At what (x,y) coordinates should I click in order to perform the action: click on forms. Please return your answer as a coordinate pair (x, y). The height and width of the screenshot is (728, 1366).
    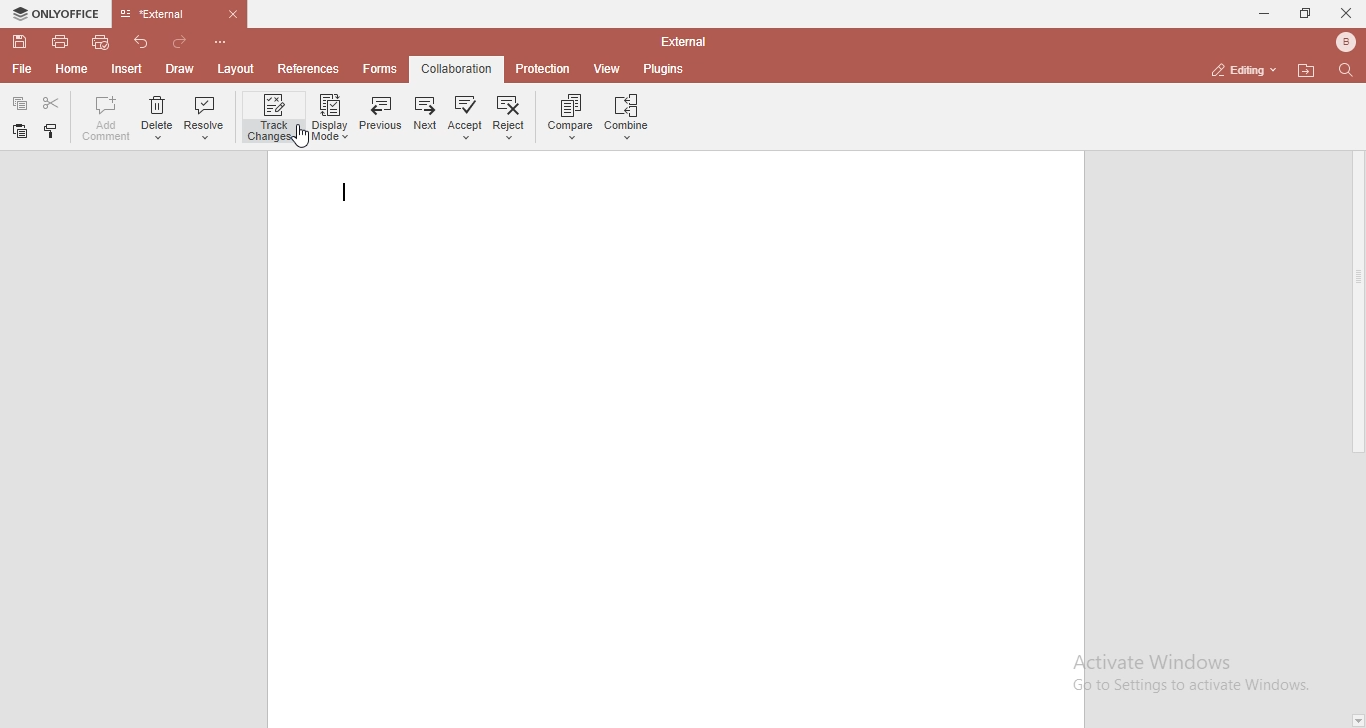
    Looking at the image, I should click on (383, 69).